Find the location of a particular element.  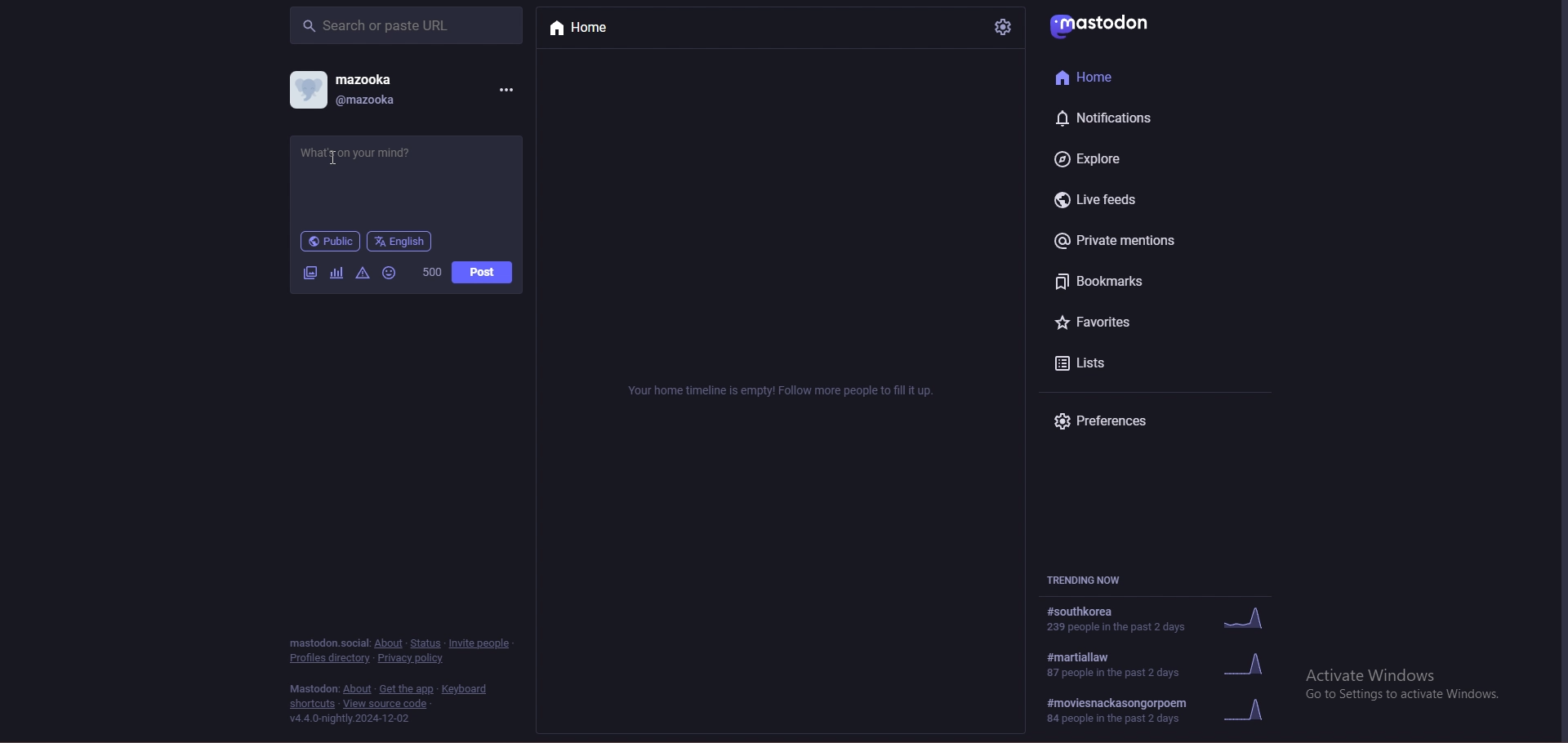

mastodon is located at coordinates (326, 642).